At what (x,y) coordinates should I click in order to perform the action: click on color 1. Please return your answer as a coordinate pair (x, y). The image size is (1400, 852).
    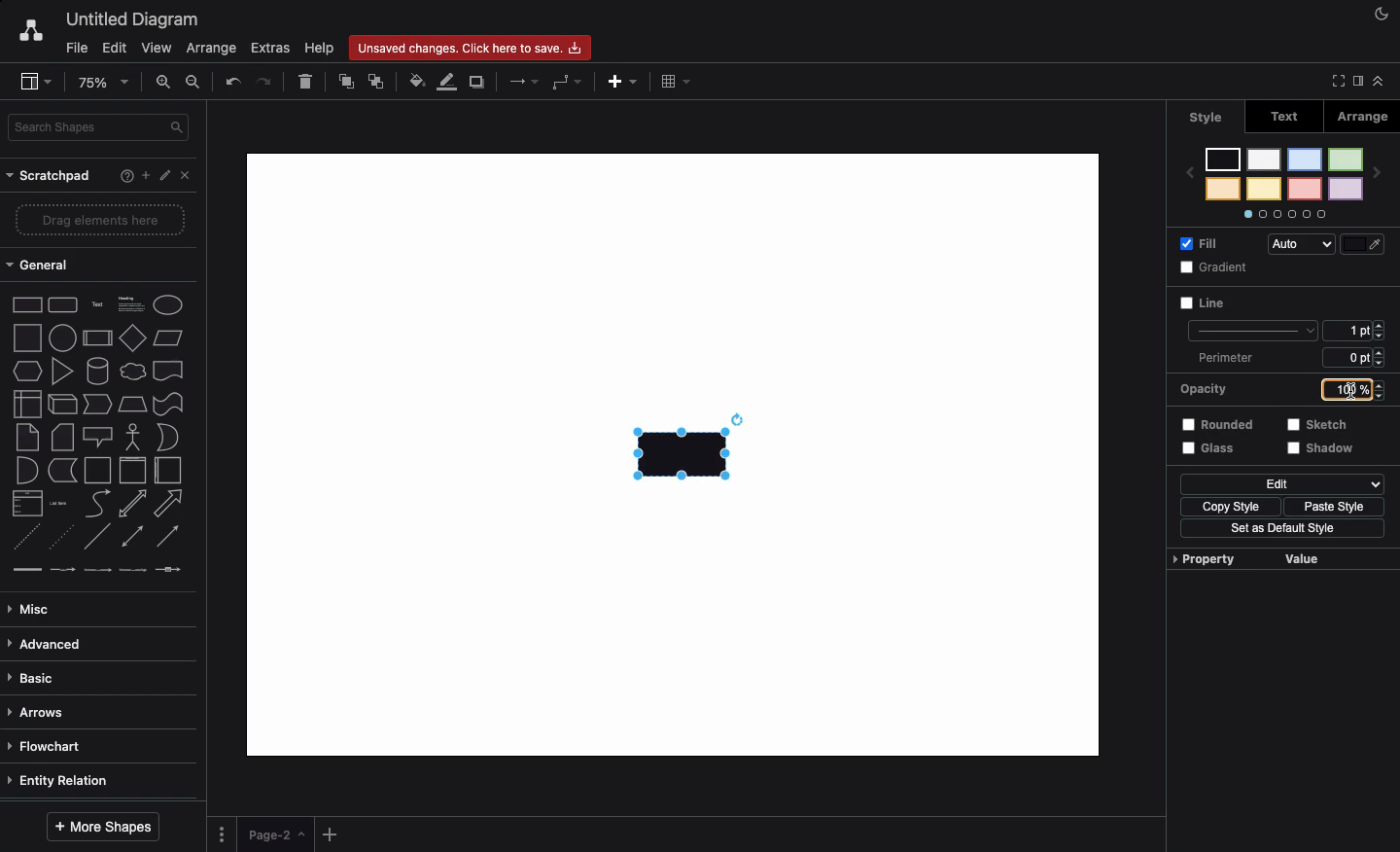
    Looking at the image, I should click on (1346, 160).